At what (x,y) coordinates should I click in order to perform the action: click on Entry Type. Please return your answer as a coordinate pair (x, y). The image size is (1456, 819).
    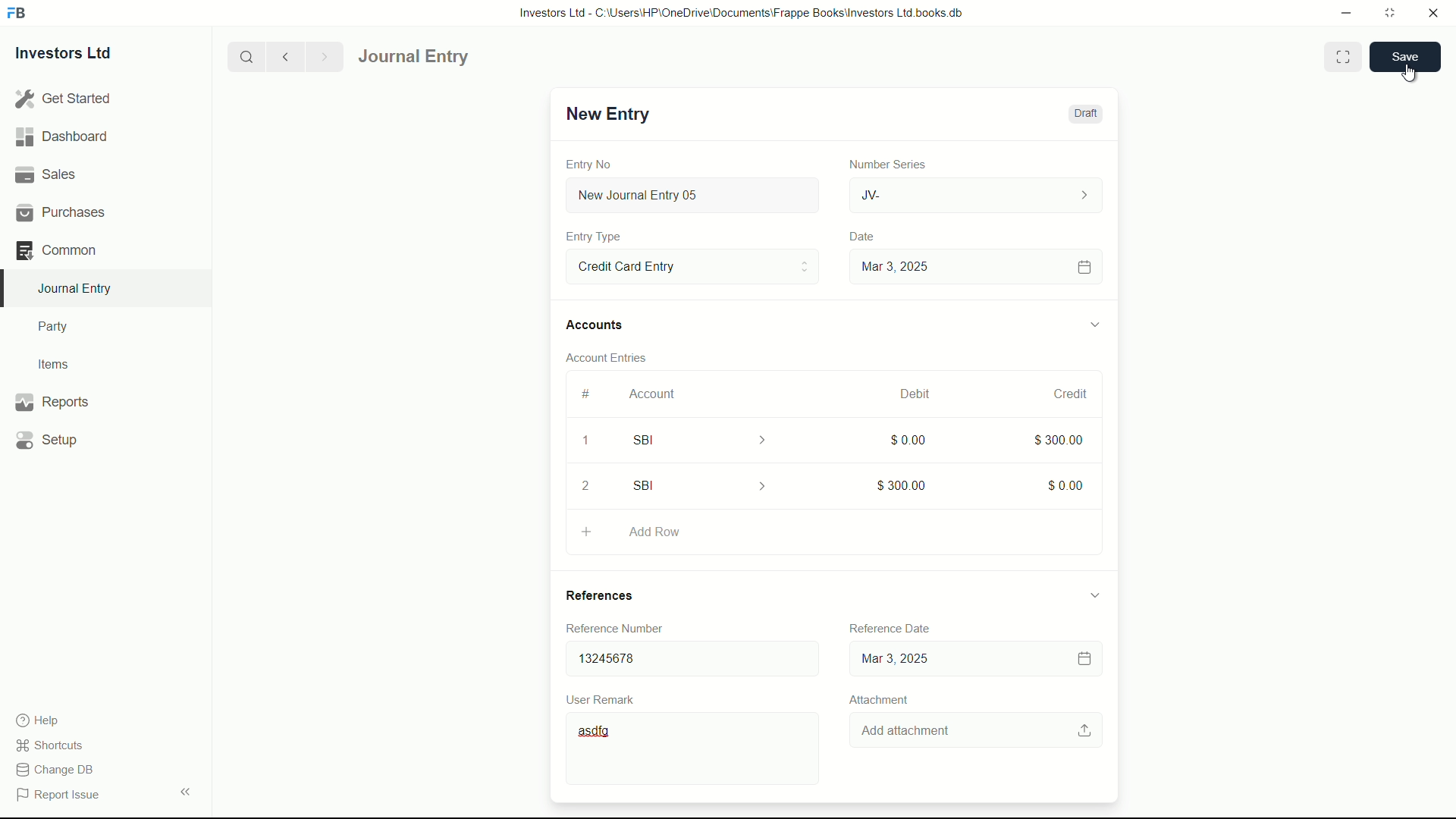
    Looking at the image, I should click on (594, 237).